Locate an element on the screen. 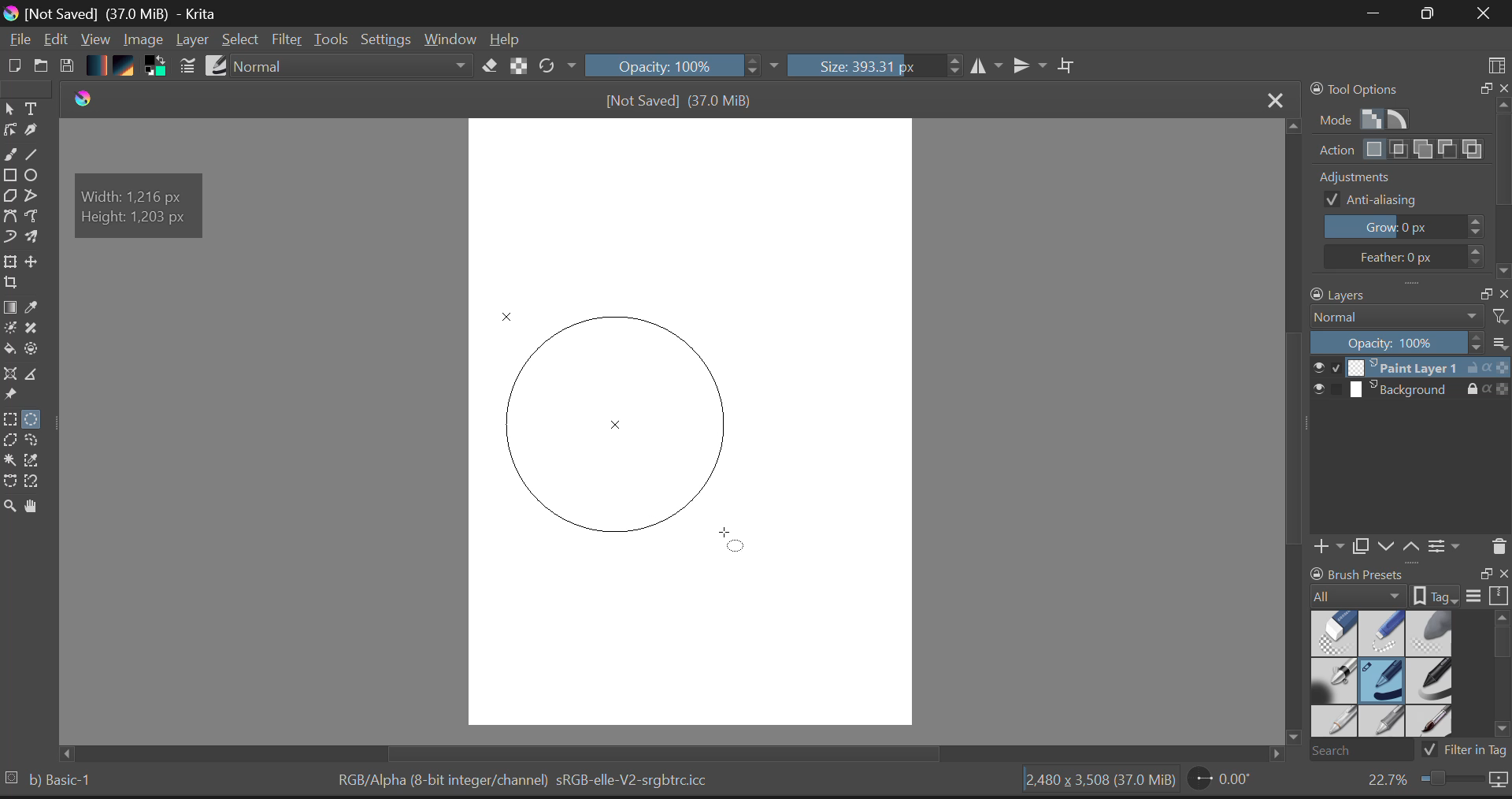  Zoom is located at coordinates (9, 504).